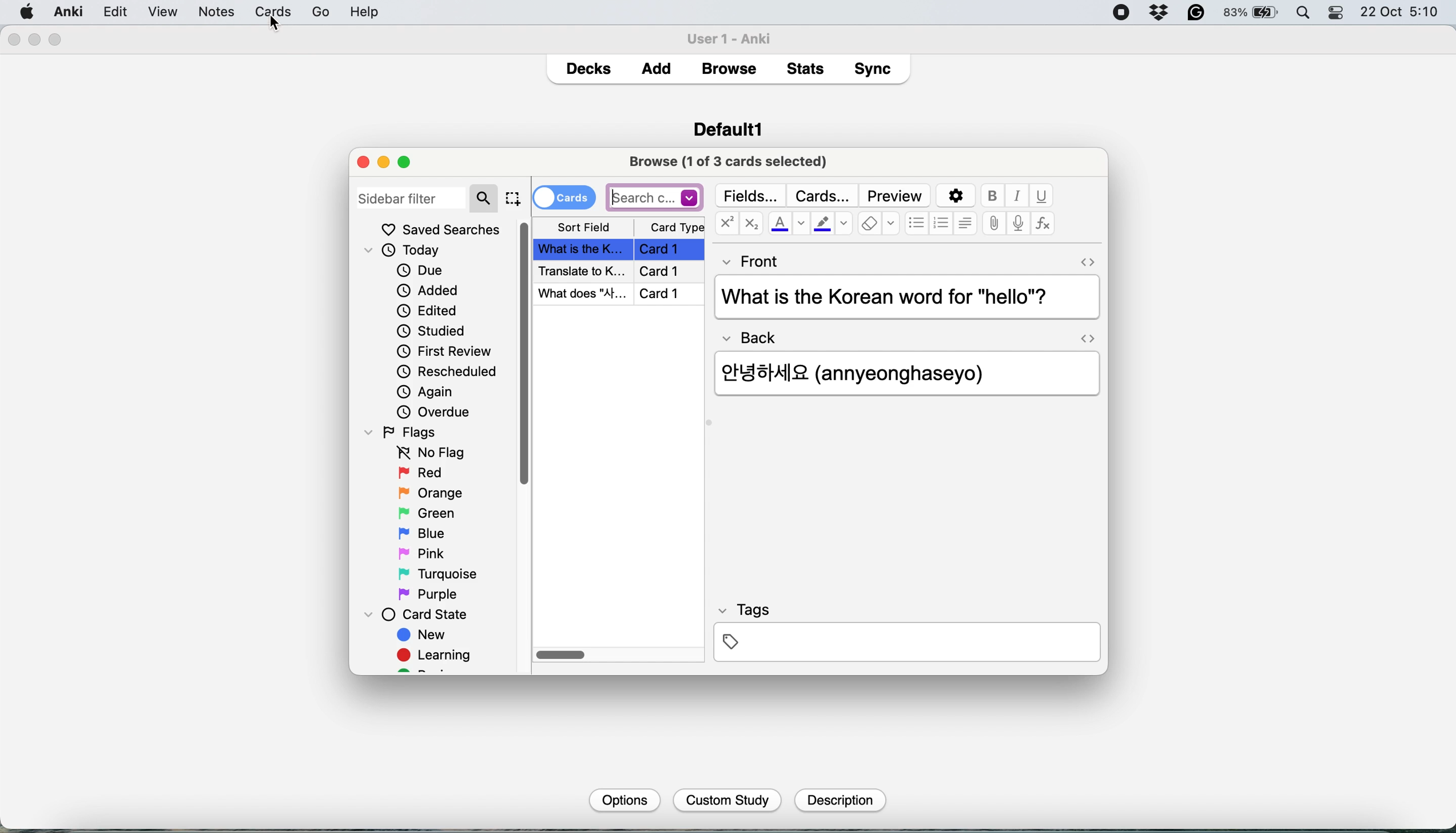 Image resolution: width=1456 pixels, height=833 pixels. I want to click on file, so click(114, 12).